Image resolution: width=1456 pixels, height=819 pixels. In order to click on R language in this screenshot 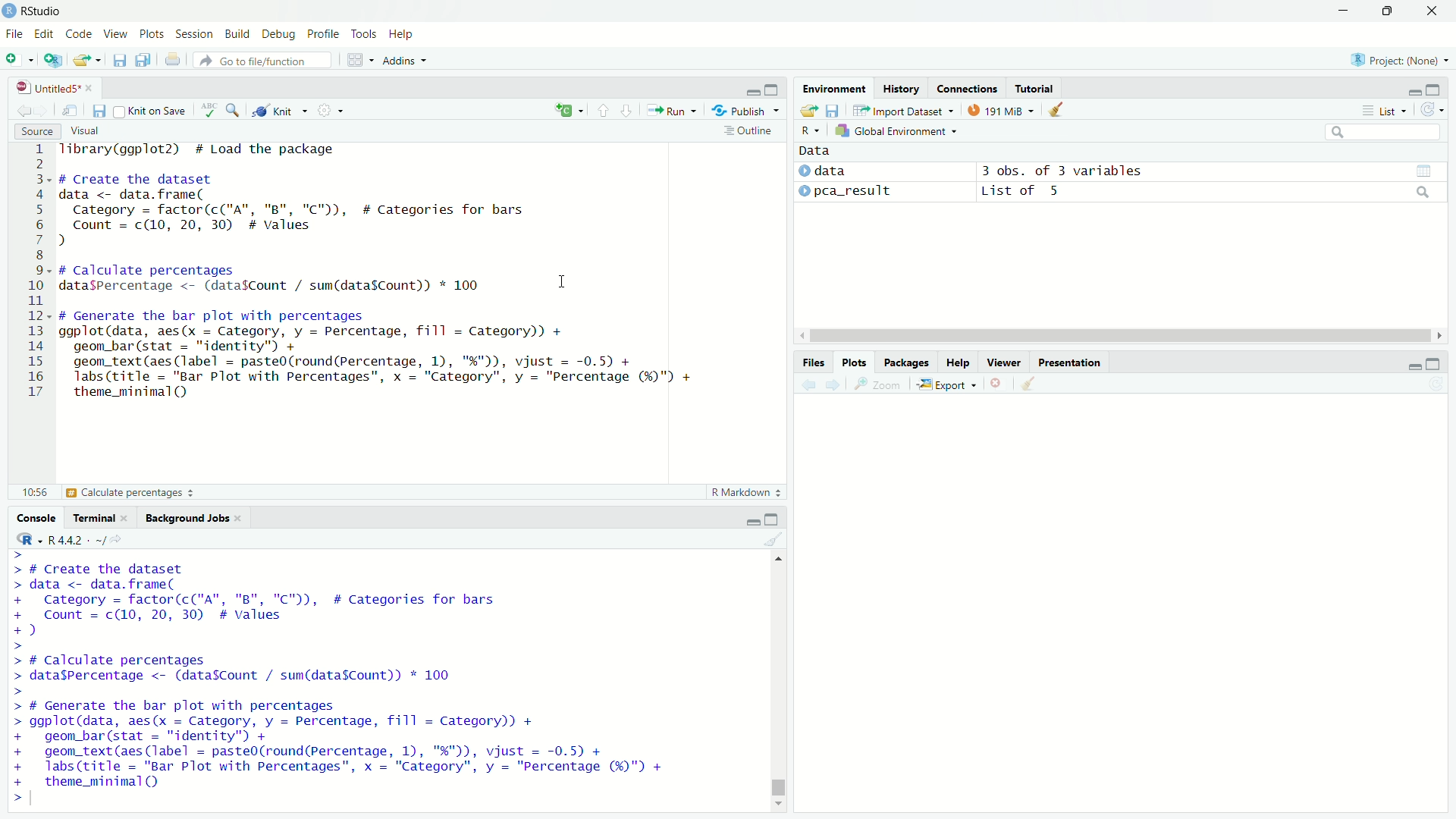, I will do `click(810, 130)`.